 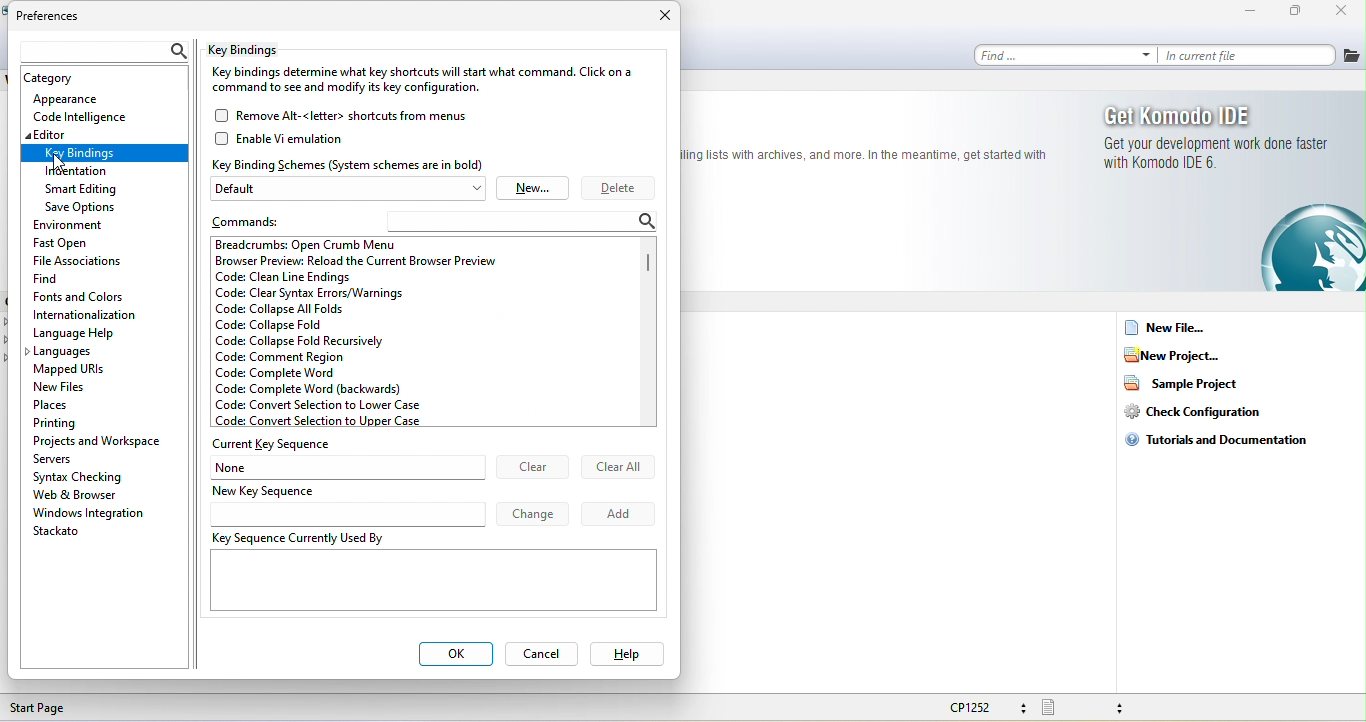 I want to click on code convert selection to upper case, so click(x=334, y=421).